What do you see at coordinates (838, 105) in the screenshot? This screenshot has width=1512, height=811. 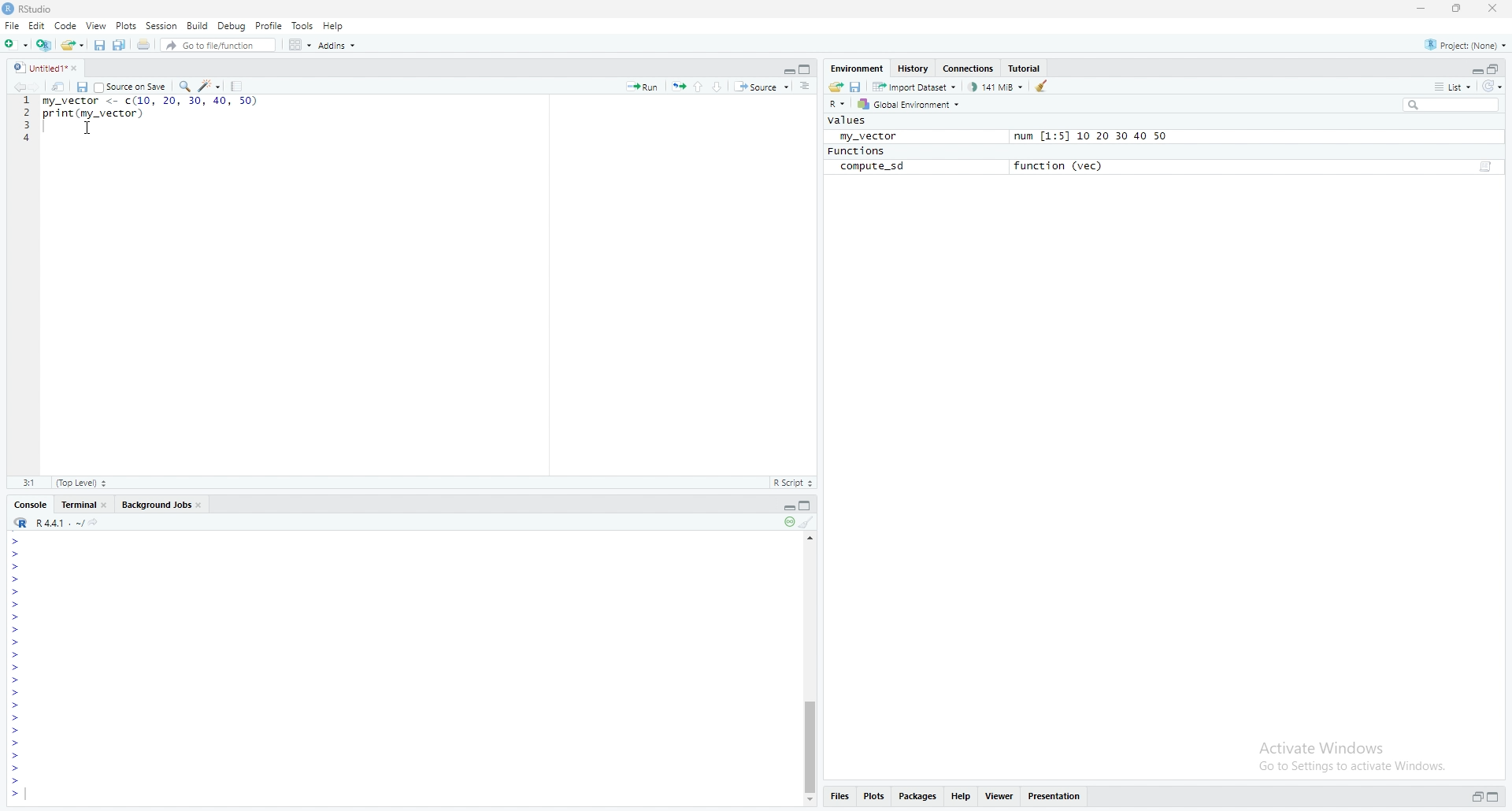 I see `R` at bounding box center [838, 105].